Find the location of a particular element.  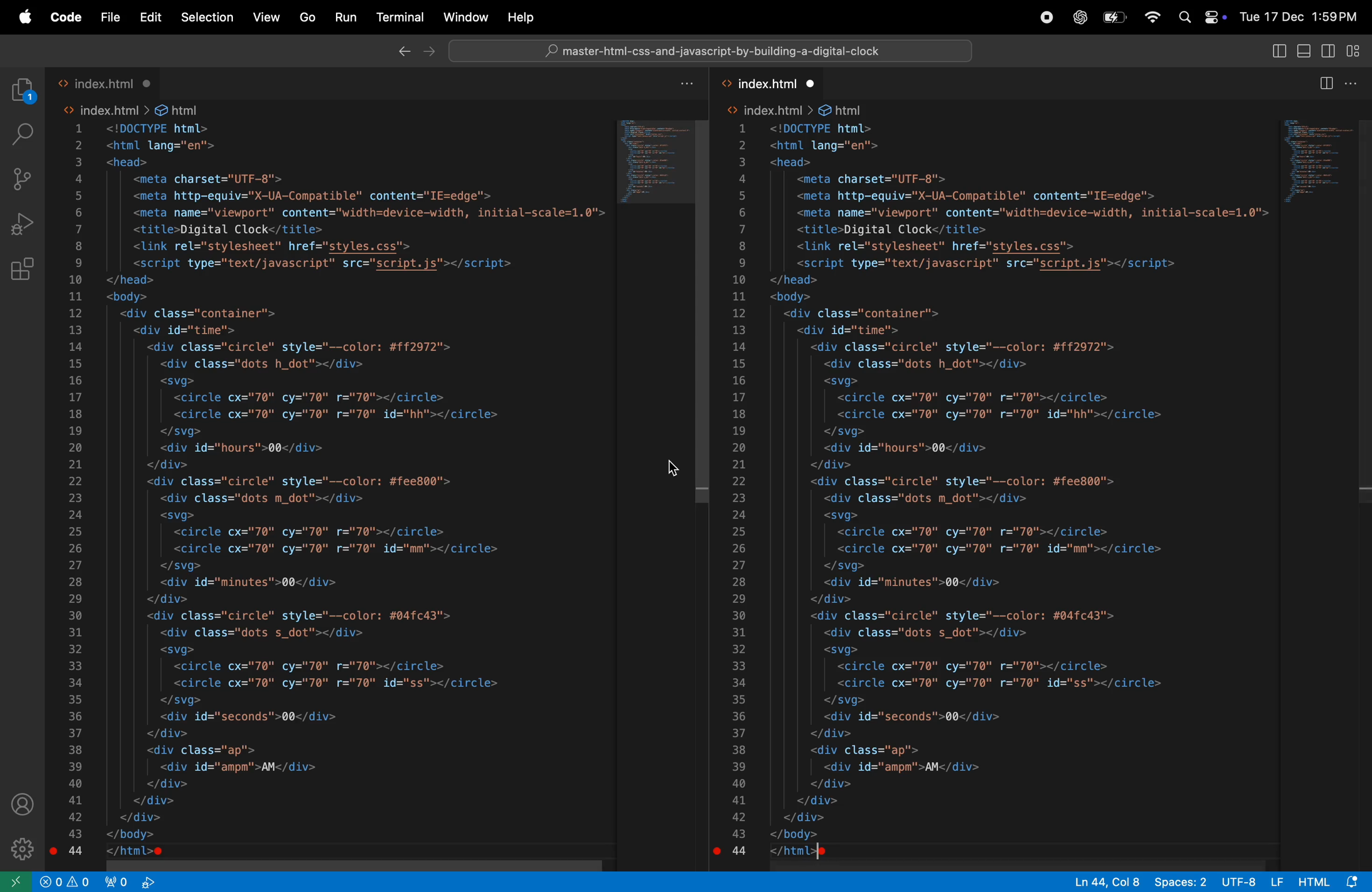

index.html is located at coordinates (105, 80).